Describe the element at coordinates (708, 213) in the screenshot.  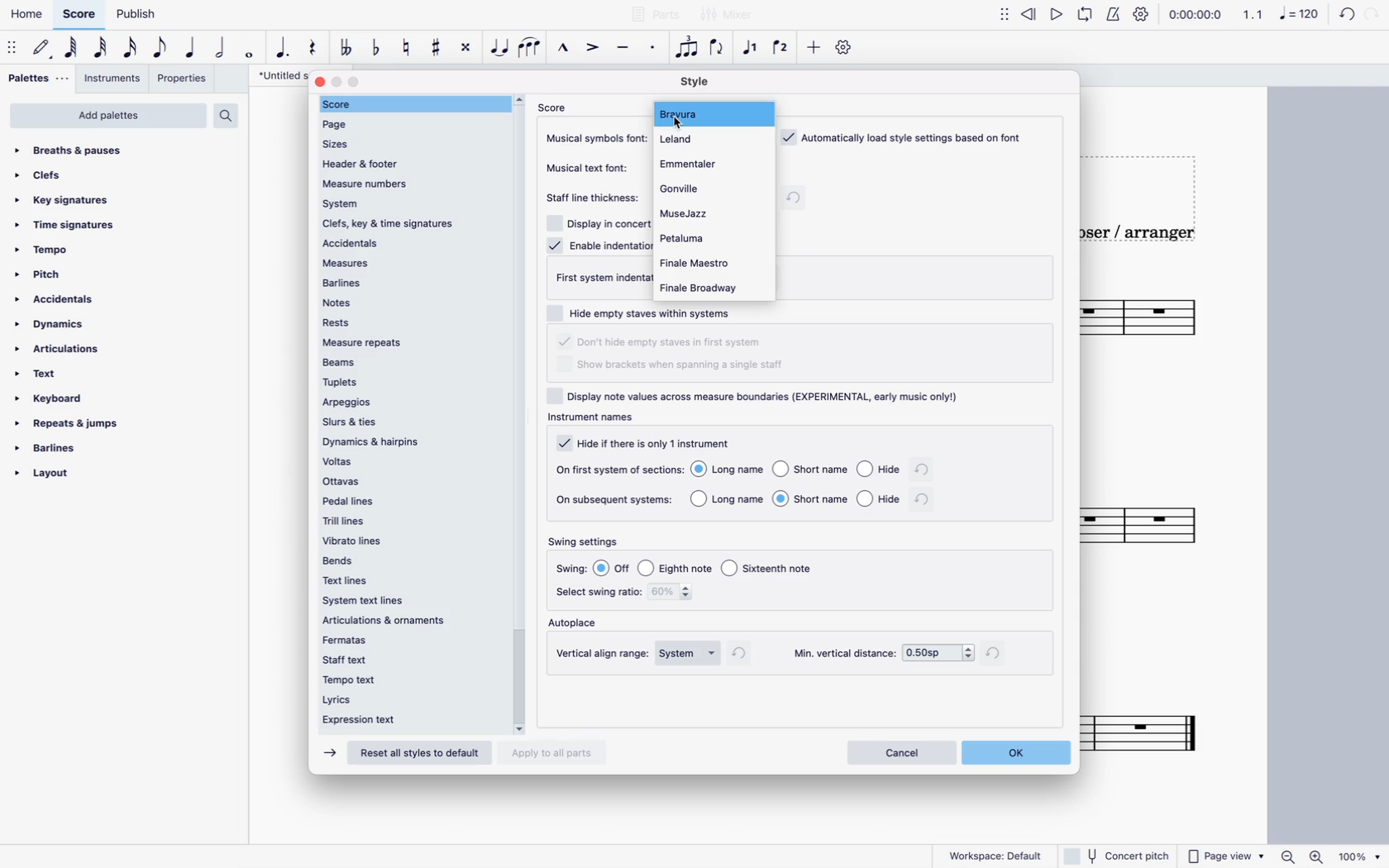
I see `musejazz` at that location.